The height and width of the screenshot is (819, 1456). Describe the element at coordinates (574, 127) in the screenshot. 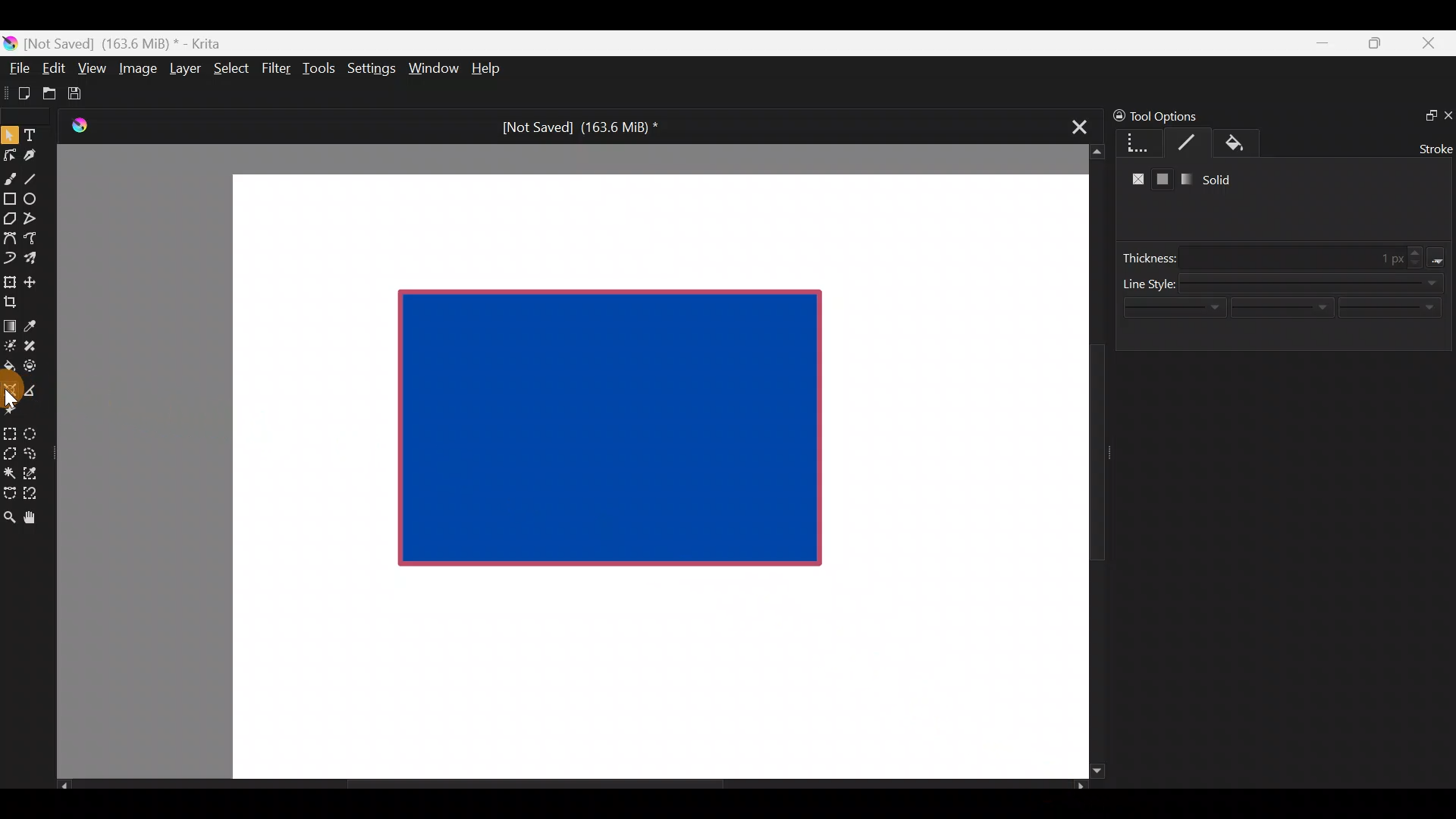

I see `[Not Saved] (163.6 MiB) *` at that location.